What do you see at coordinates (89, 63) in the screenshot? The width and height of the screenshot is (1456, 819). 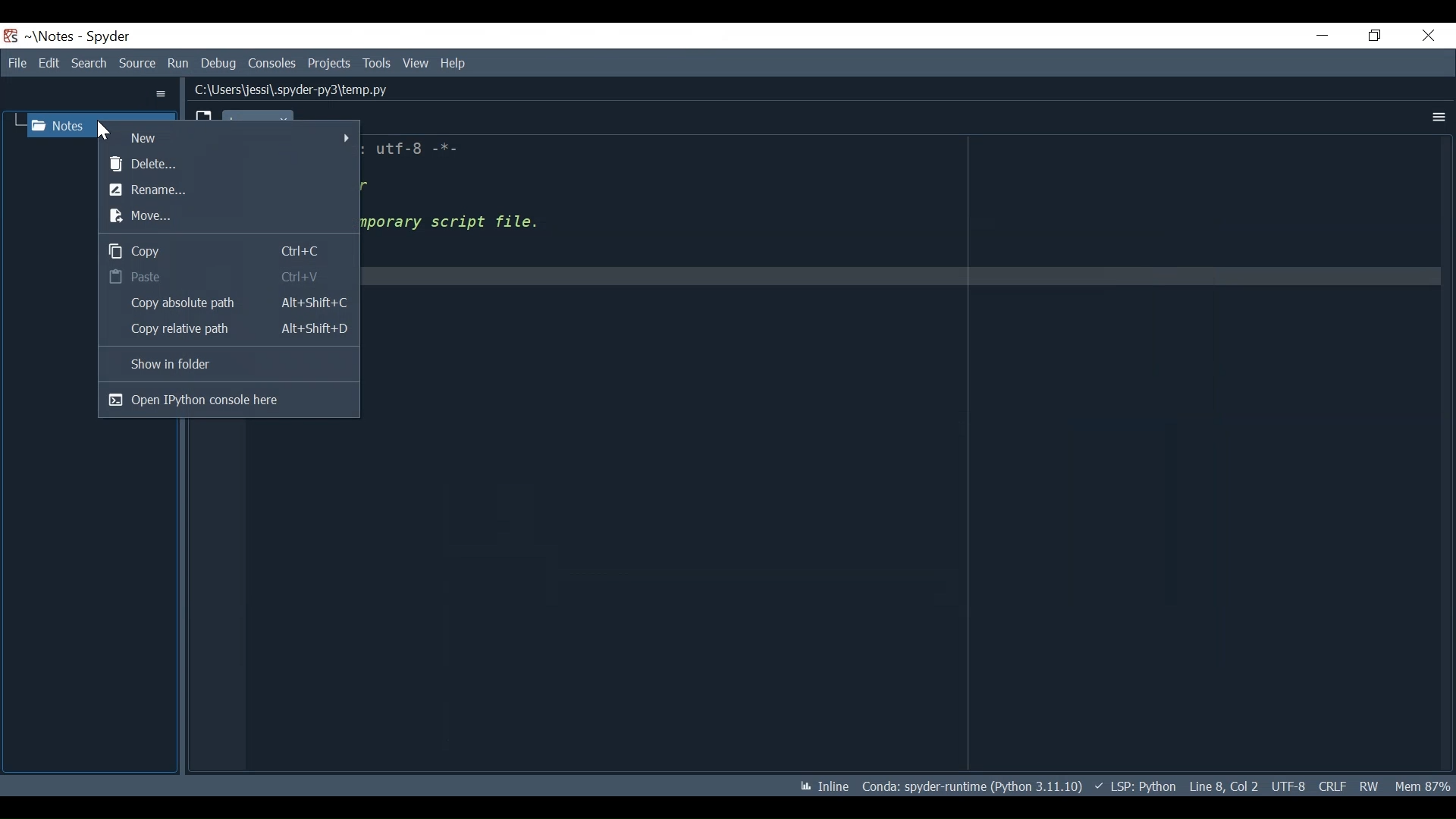 I see `Search` at bounding box center [89, 63].